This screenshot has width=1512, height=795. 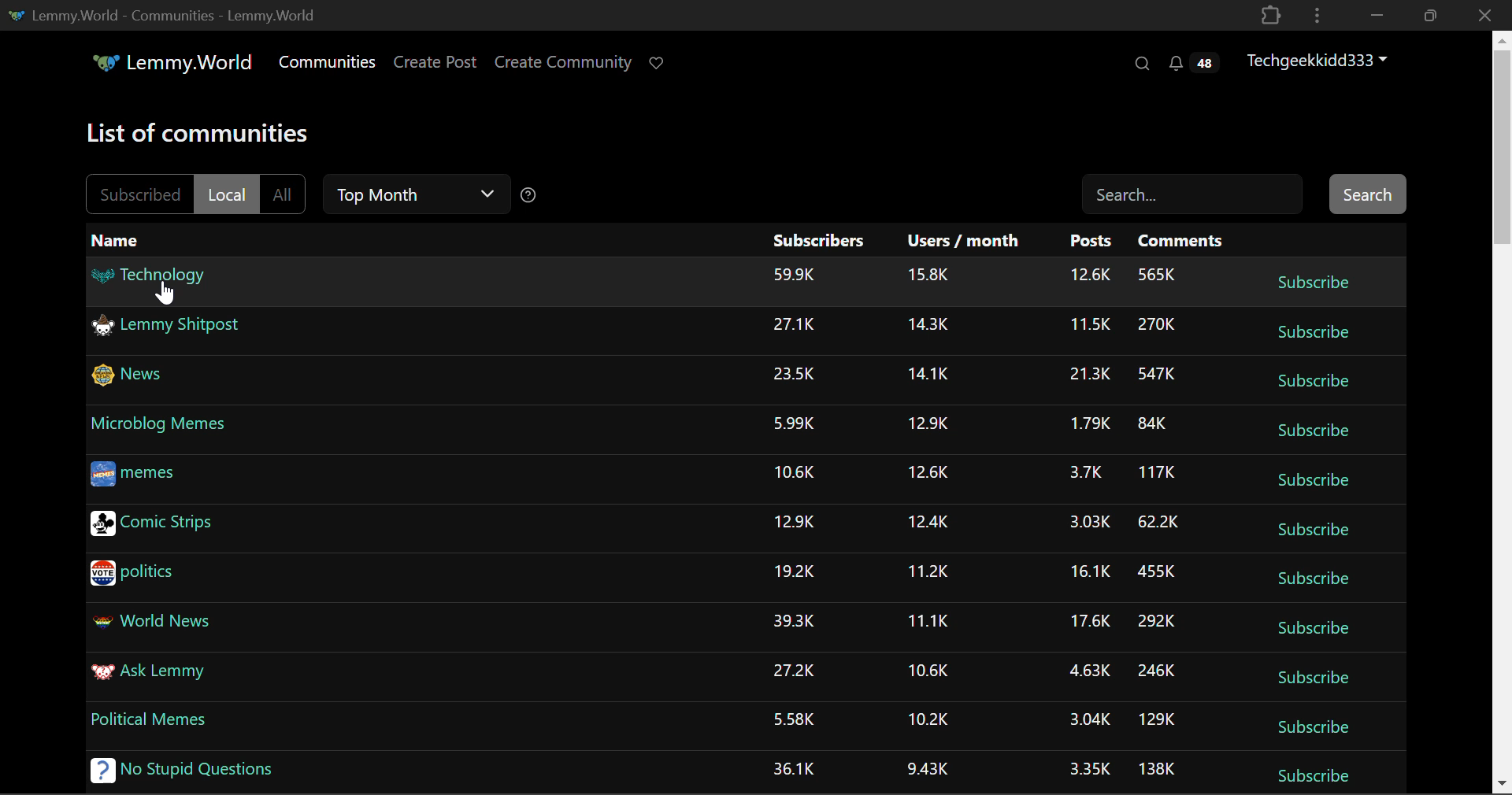 What do you see at coordinates (925, 521) in the screenshot?
I see `Amount ` at bounding box center [925, 521].